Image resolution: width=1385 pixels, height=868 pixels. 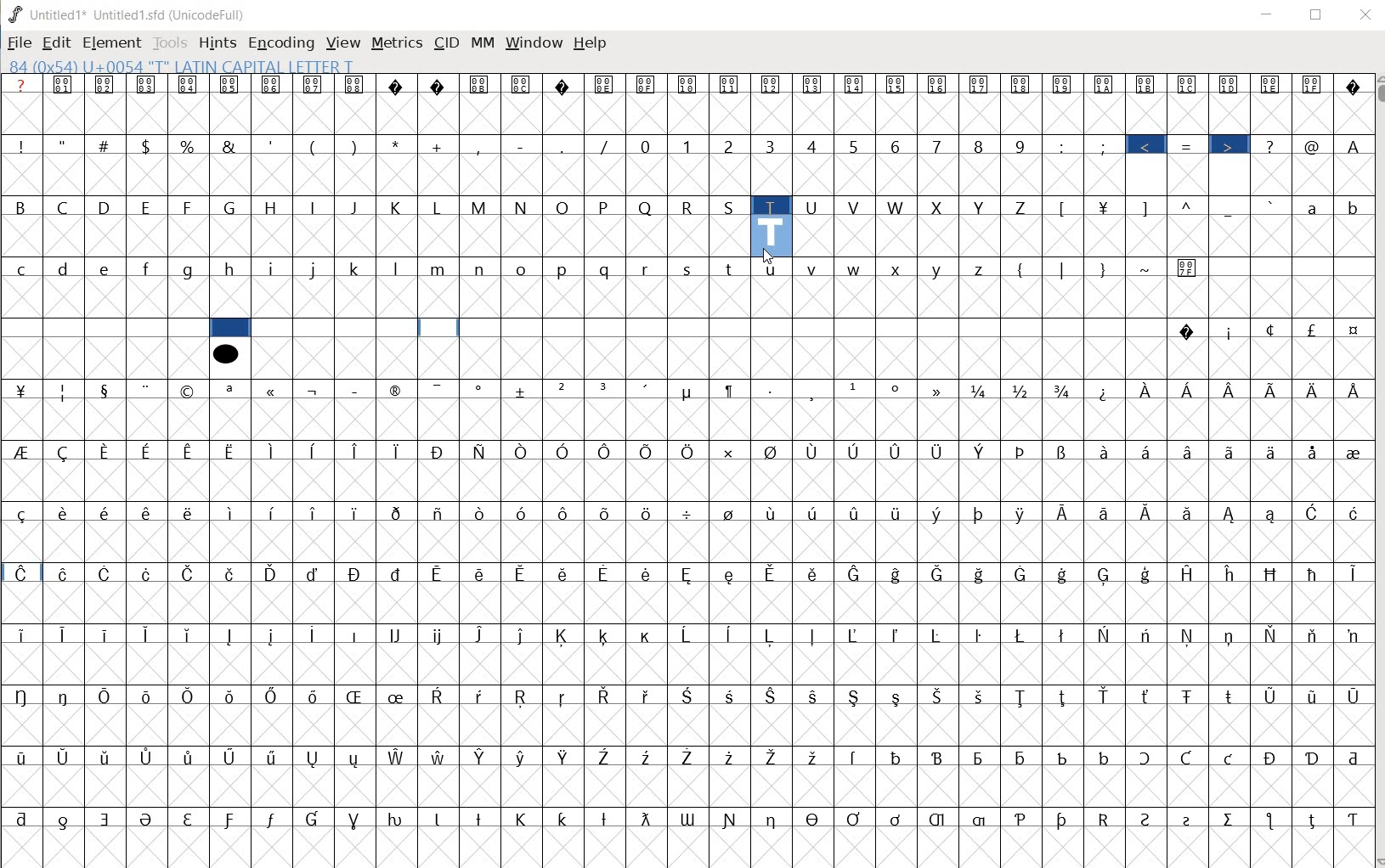 I want to click on Symbol, so click(x=480, y=389).